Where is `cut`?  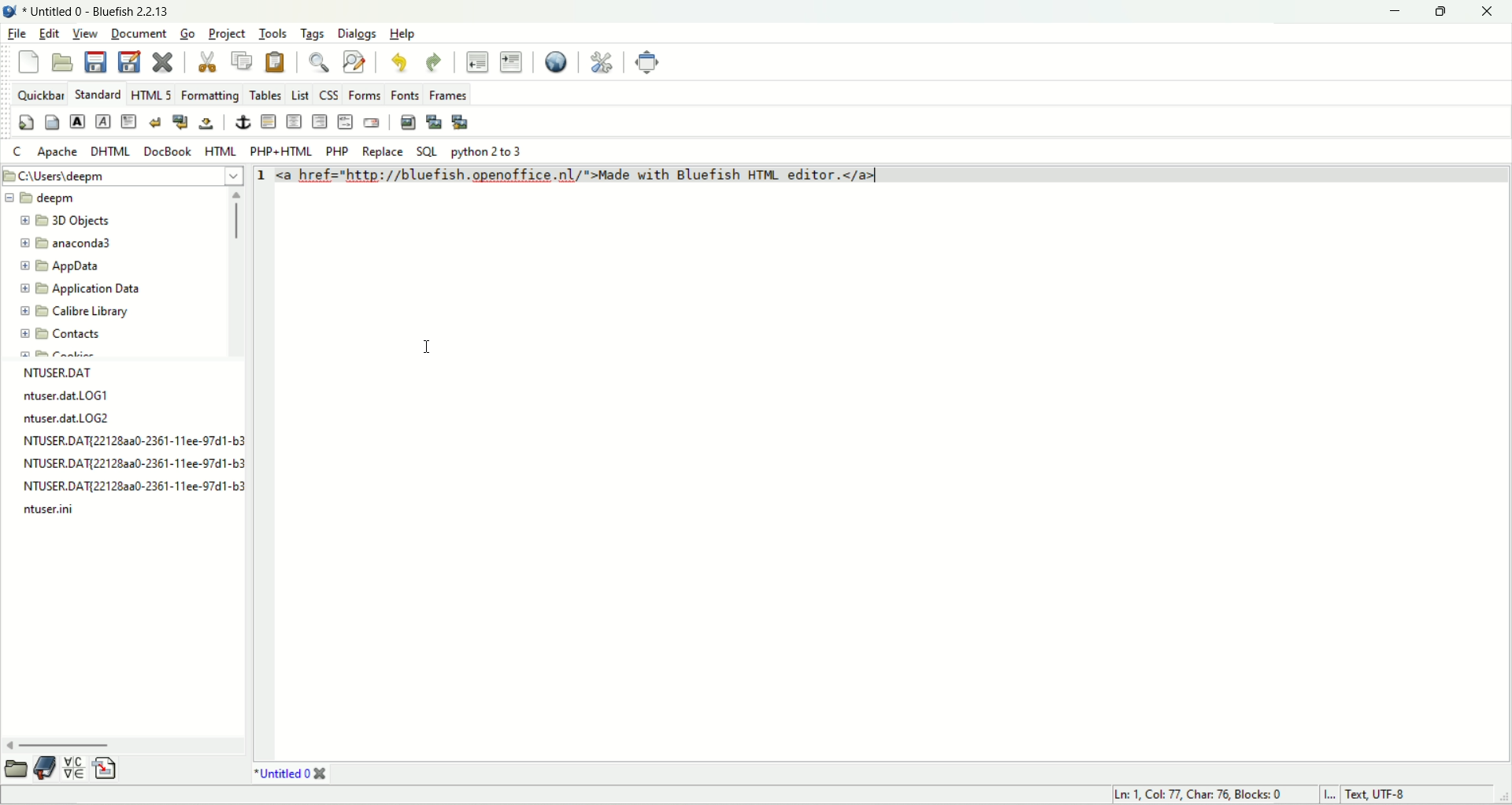 cut is located at coordinates (202, 62).